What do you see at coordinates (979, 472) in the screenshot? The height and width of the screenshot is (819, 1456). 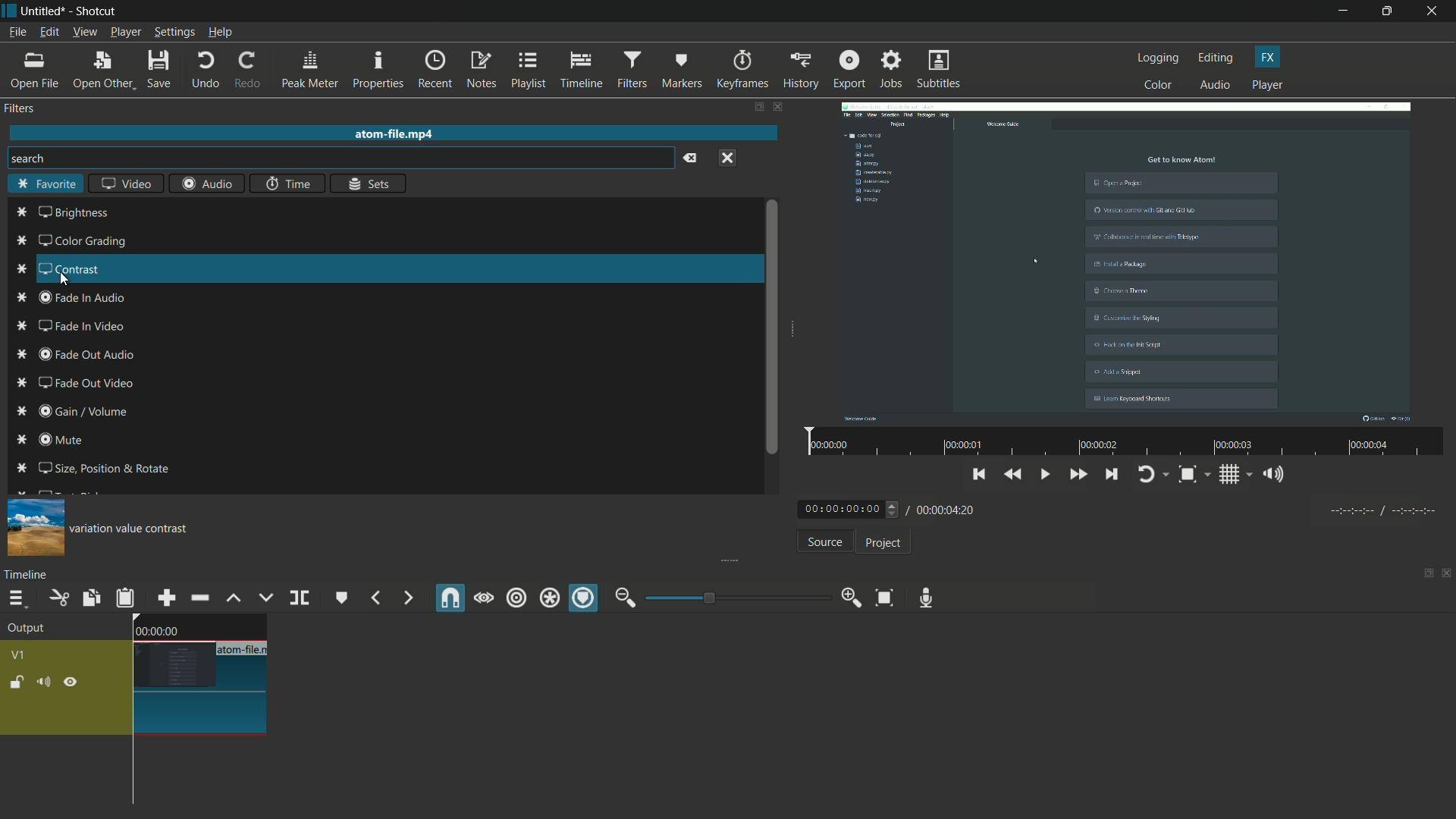 I see `skip to the previous point` at bounding box center [979, 472].